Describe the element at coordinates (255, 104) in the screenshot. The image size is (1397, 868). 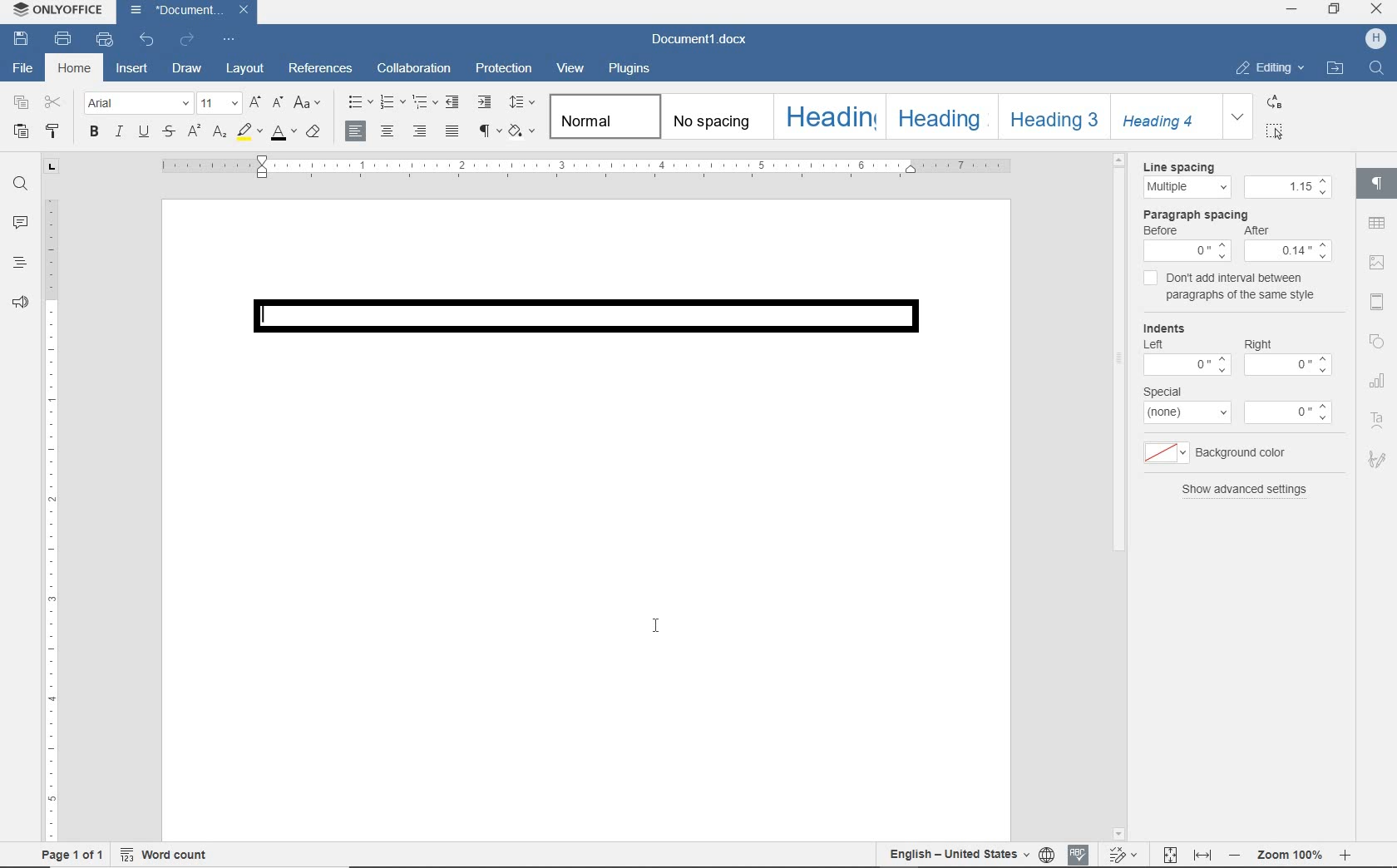
I see `increment font size` at that location.